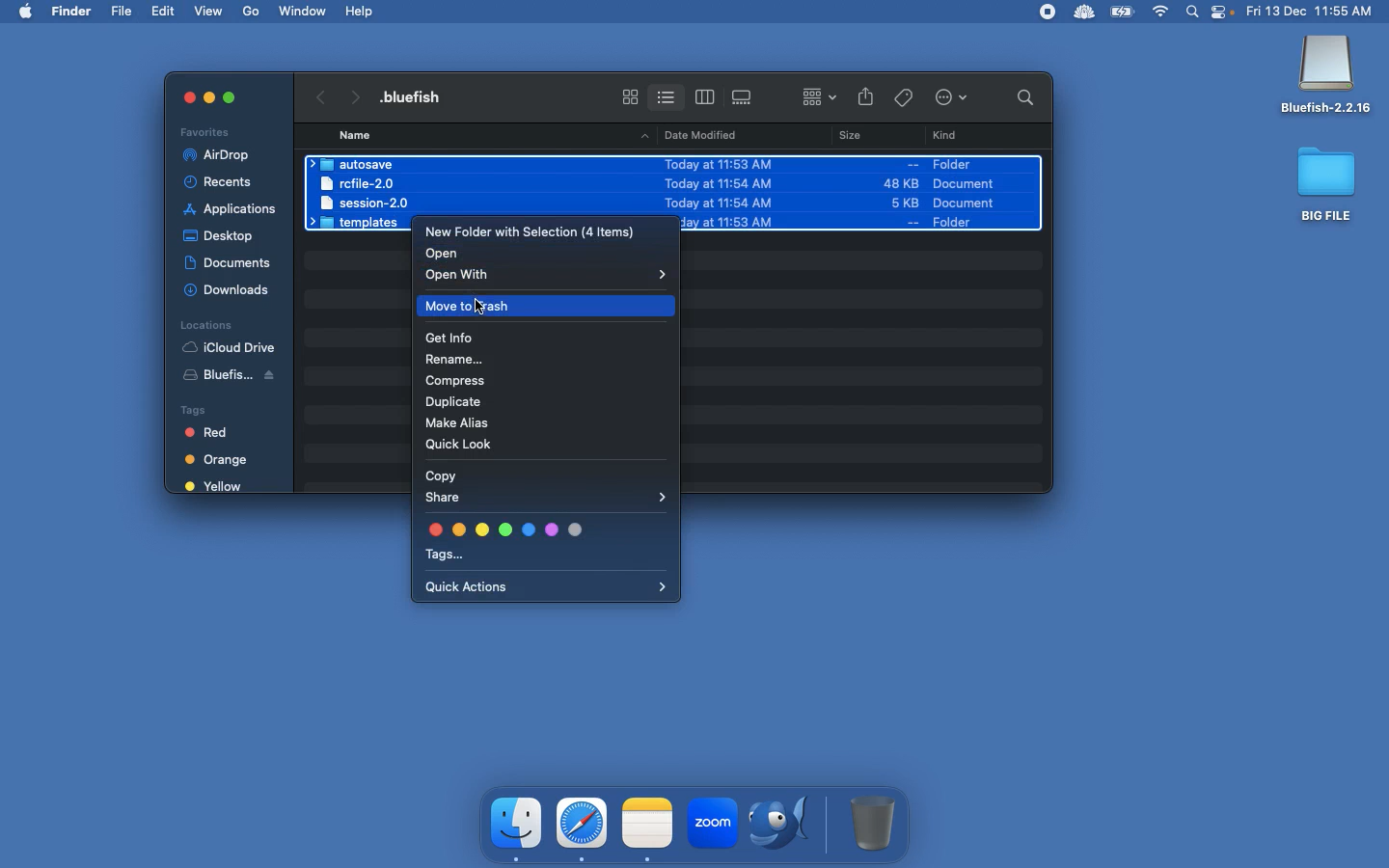  What do you see at coordinates (1224, 14) in the screenshot?
I see `Notification` at bounding box center [1224, 14].